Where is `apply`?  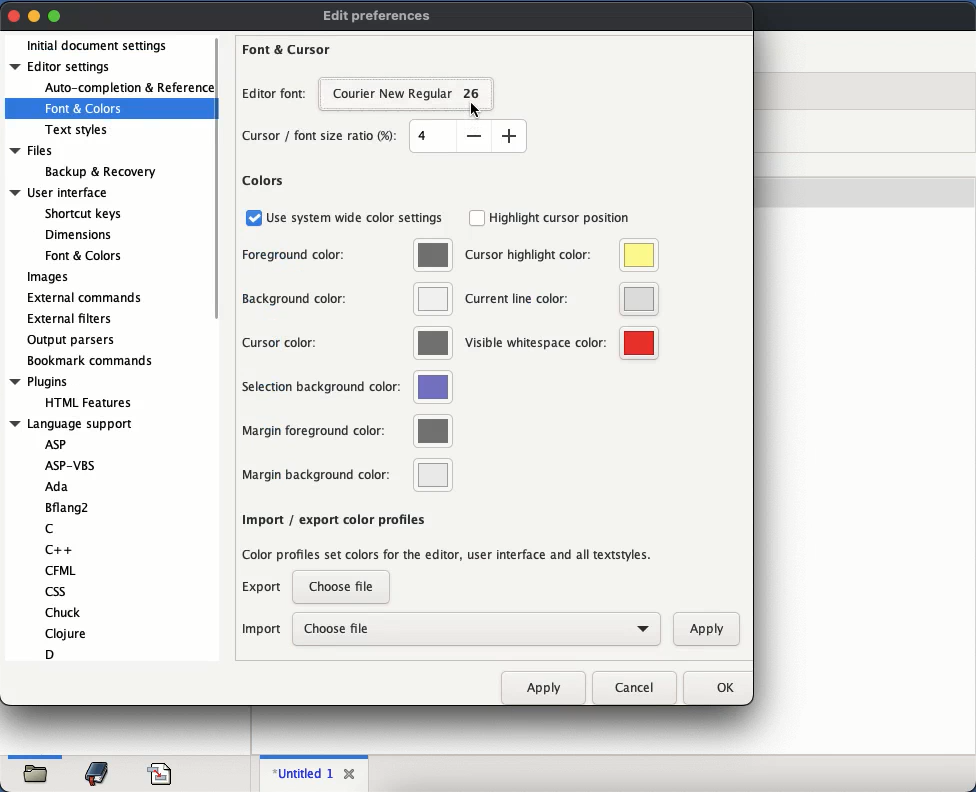
apply is located at coordinates (706, 630).